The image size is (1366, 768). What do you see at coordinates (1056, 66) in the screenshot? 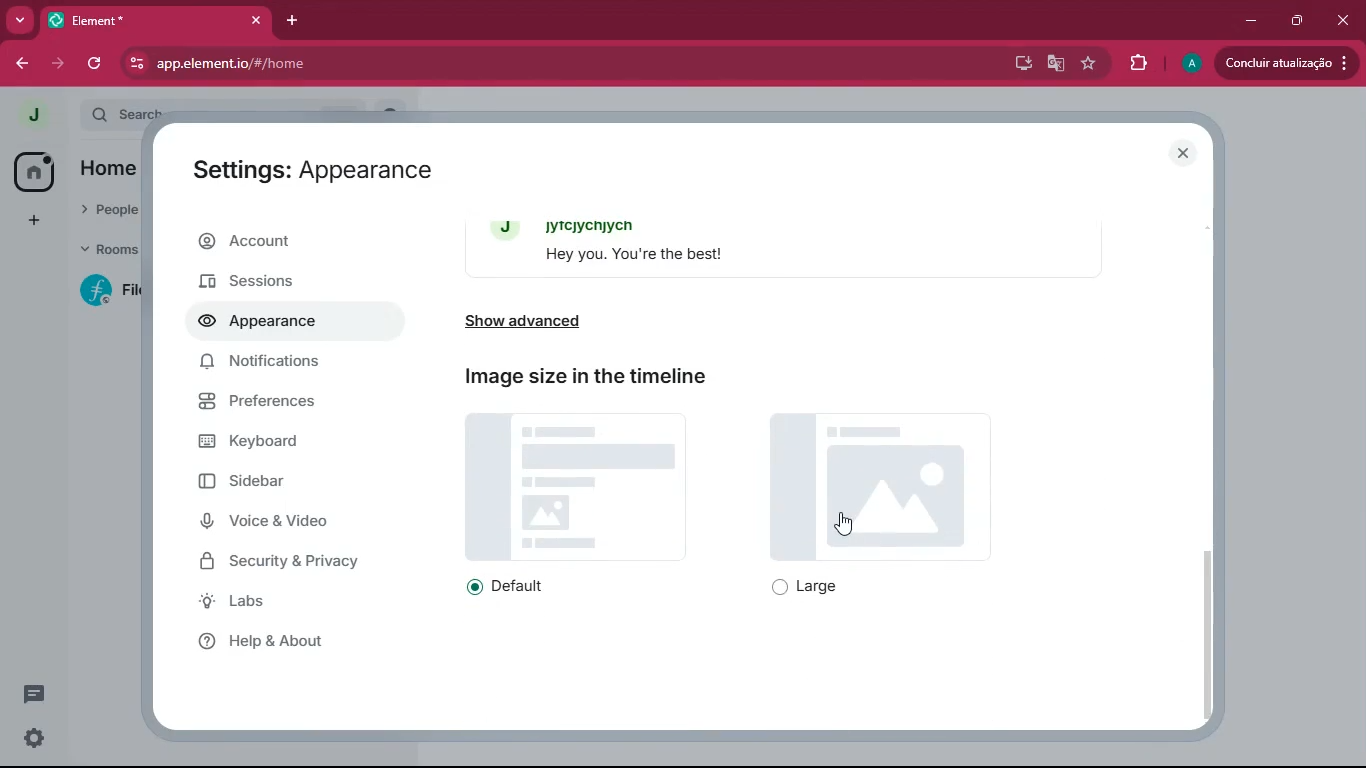
I see `google translate` at bounding box center [1056, 66].